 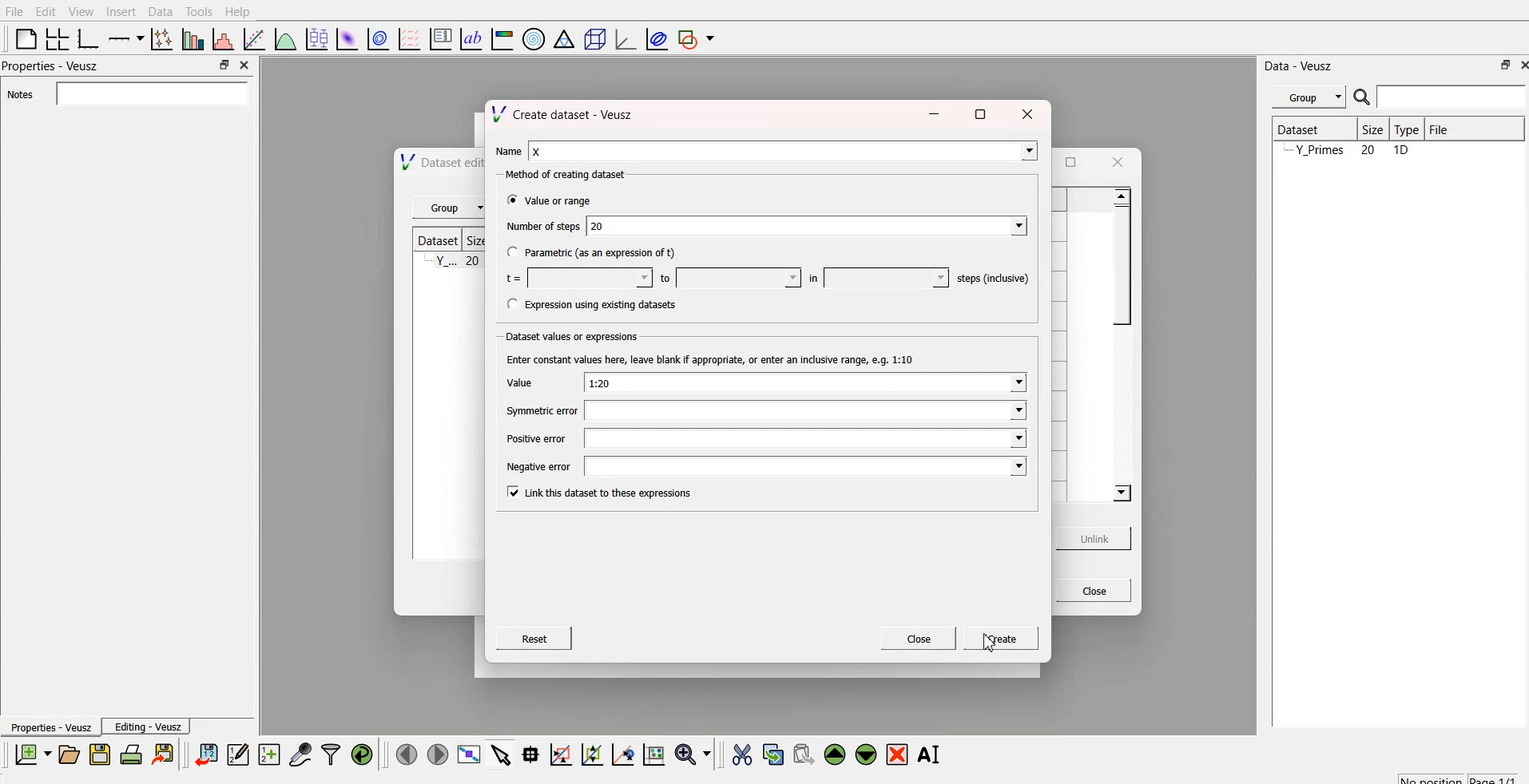 I want to click on open a document, so click(x=68, y=754).